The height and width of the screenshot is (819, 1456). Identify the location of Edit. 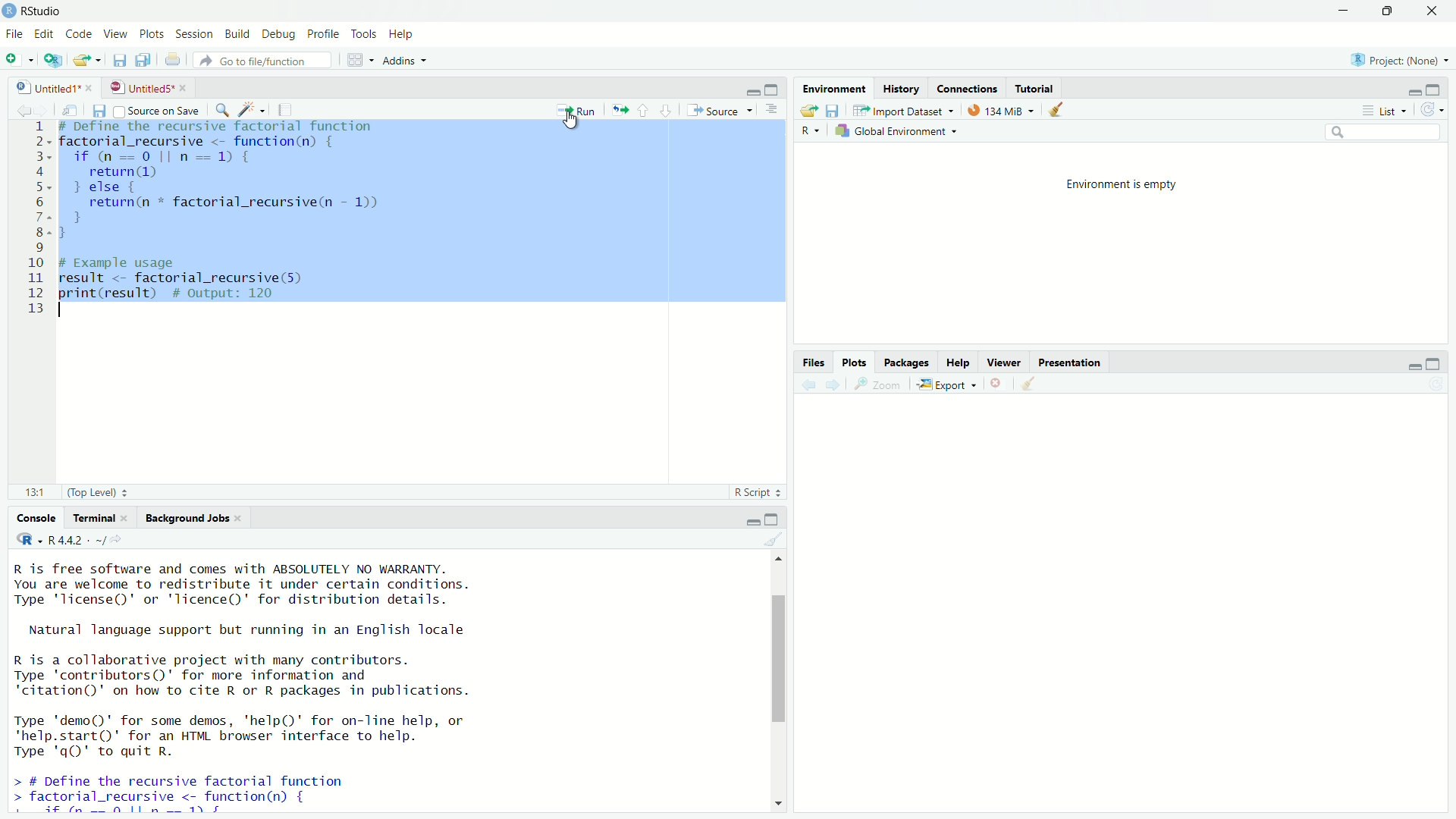
(43, 33).